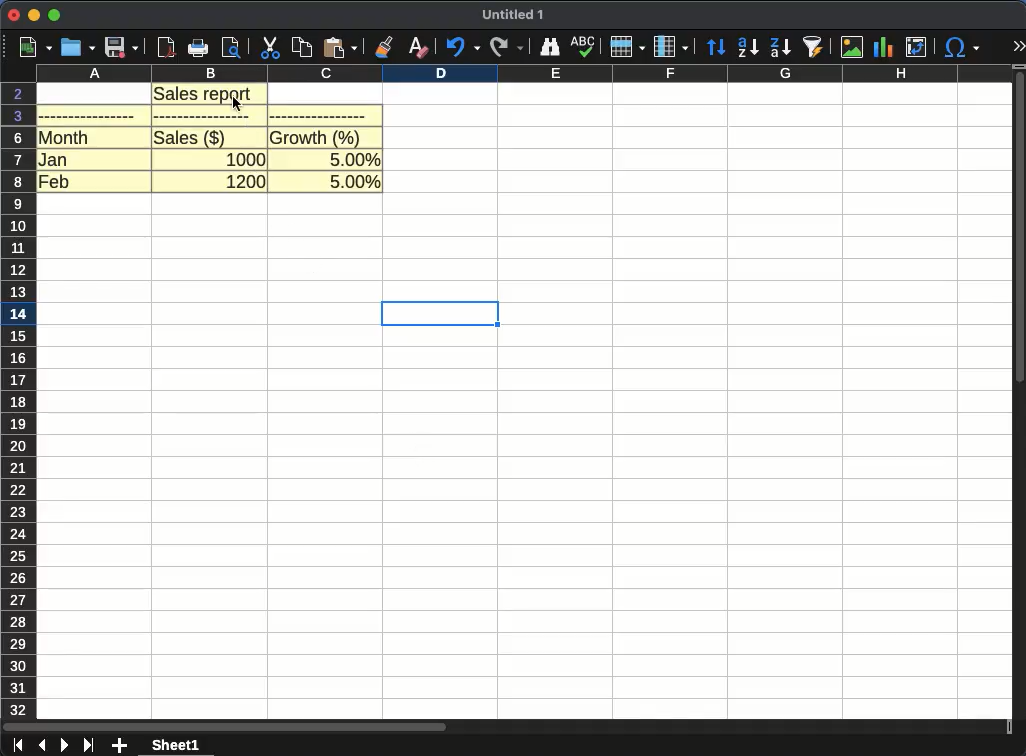  What do you see at coordinates (63, 745) in the screenshot?
I see `next sheet` at bounding box center [63, 745].